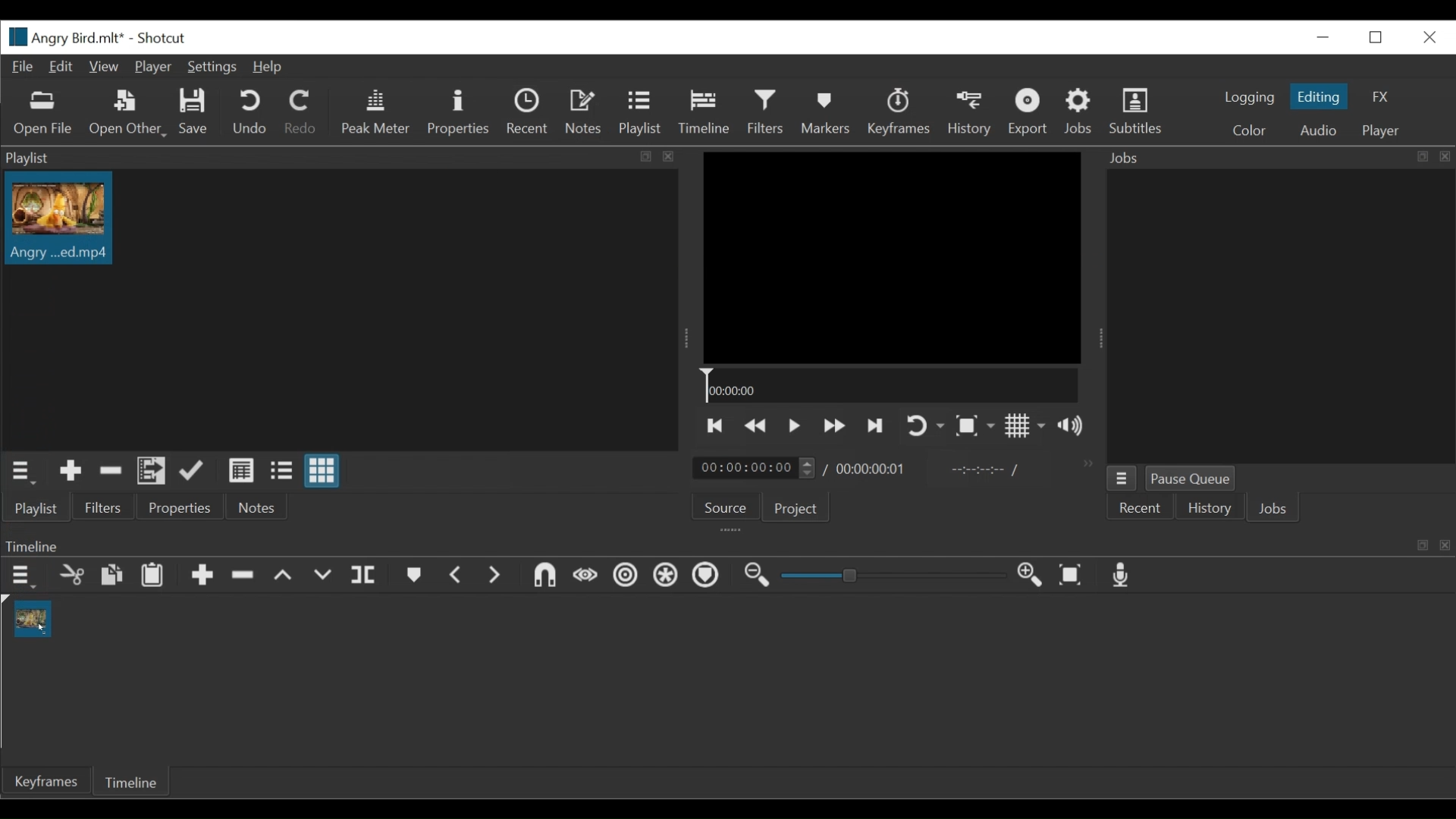 This screenshot has width=1456, height=819. I want to click on Undo, so click(249, 112).